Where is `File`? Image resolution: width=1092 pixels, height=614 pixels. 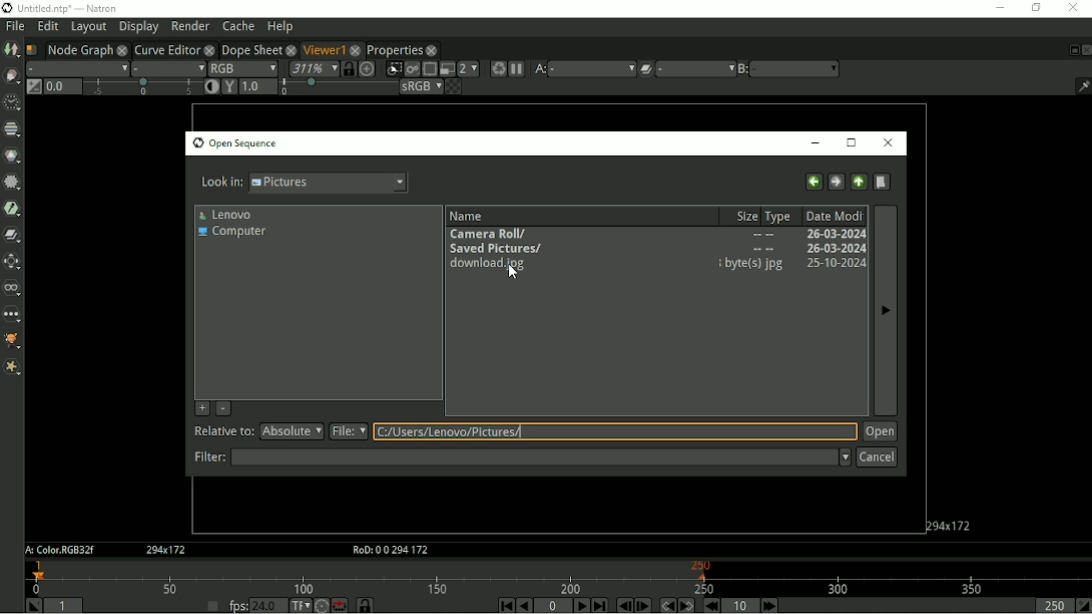 File is located at coordinates (15, 25).